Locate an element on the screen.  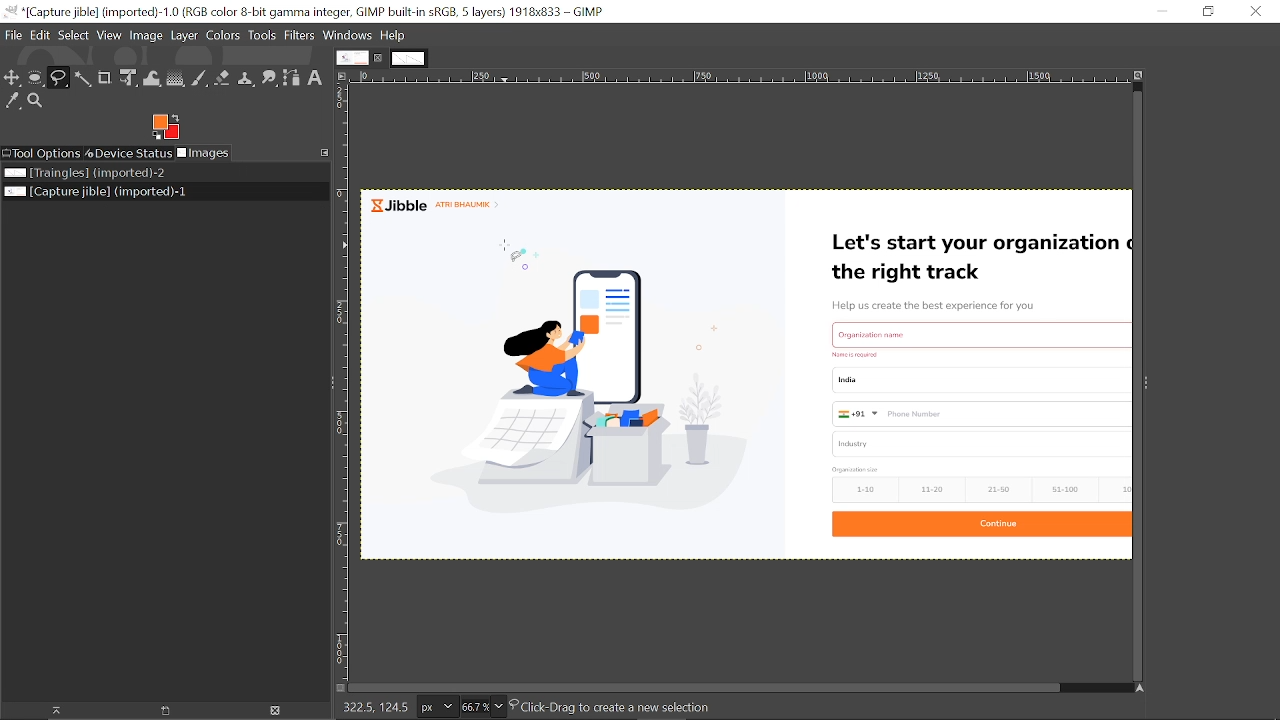
Side bar menu is located at coordinates (1147, 390).